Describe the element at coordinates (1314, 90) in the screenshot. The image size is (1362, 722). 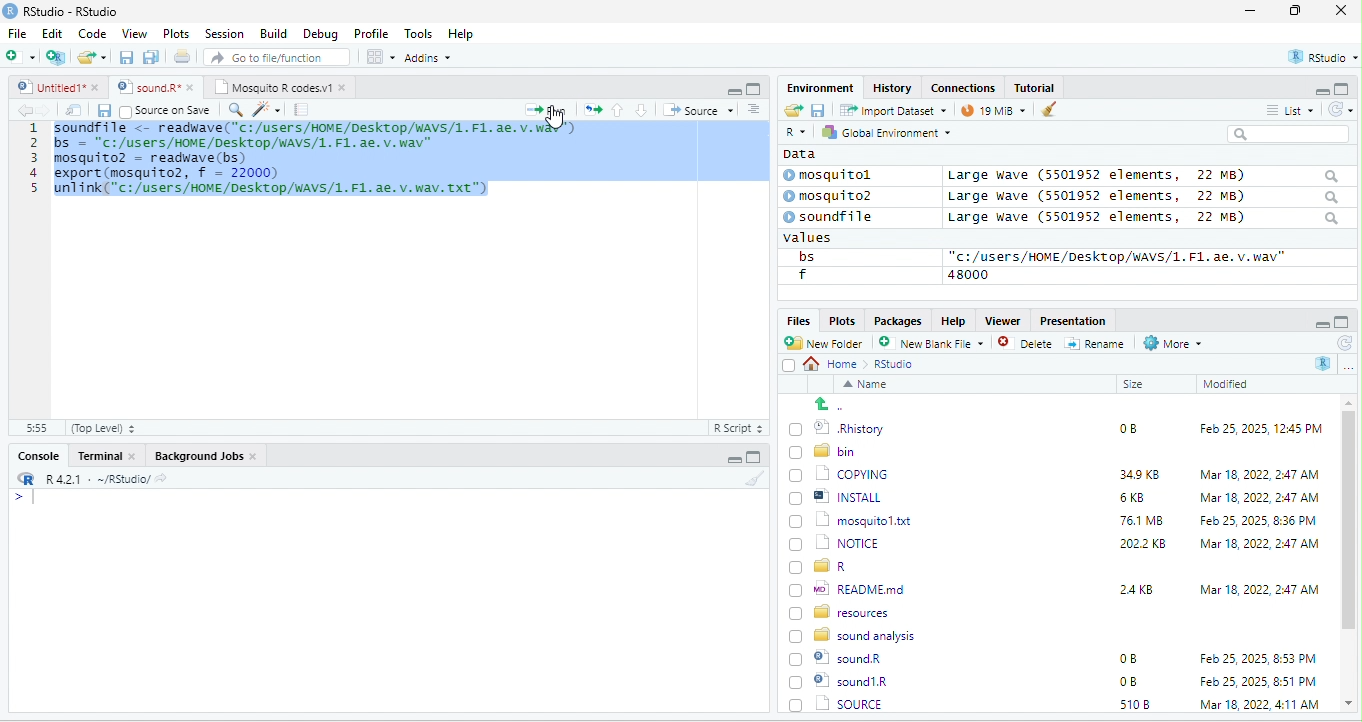
I see `minimize` at that location.